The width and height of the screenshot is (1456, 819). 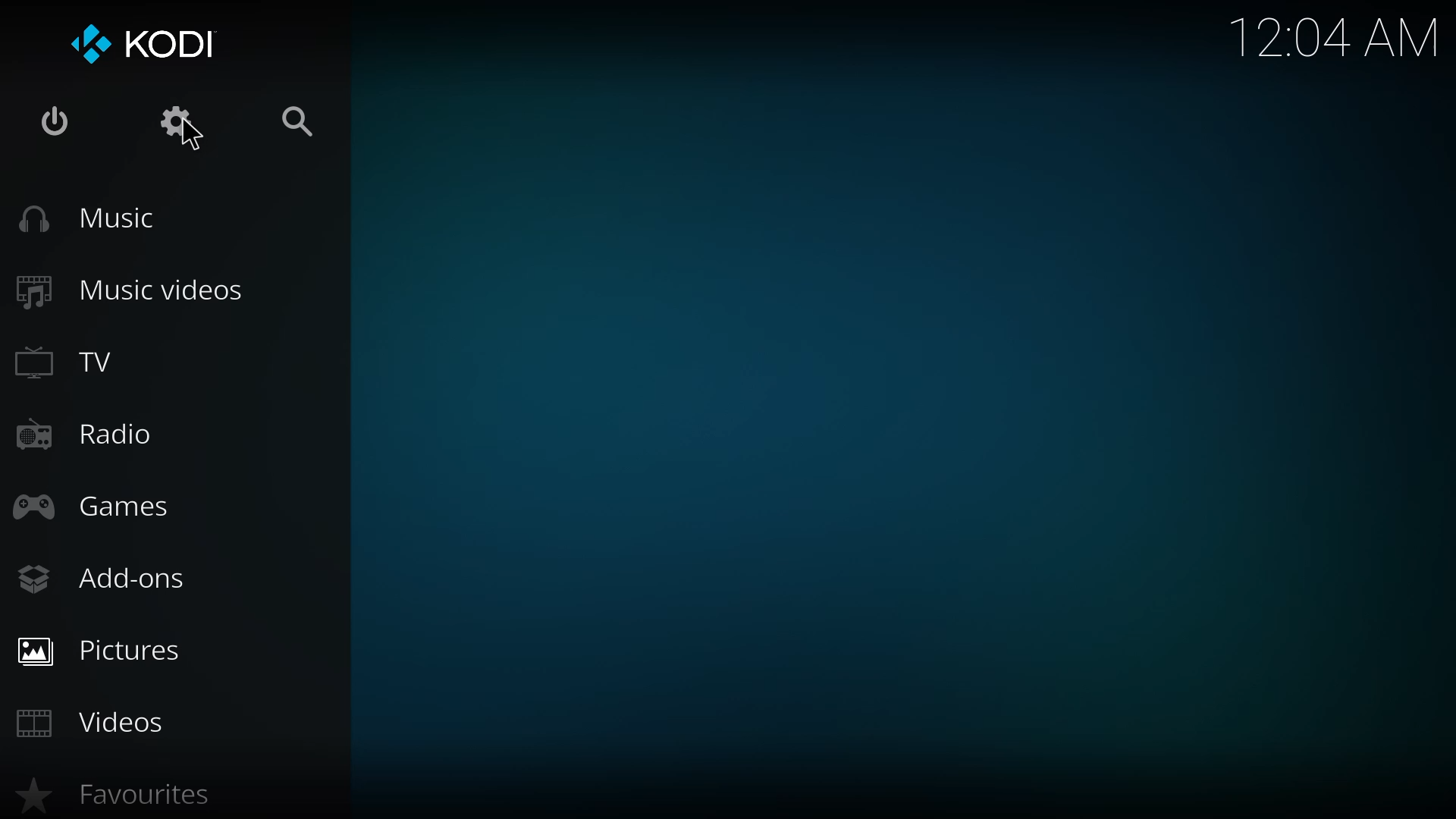 What do you see at coordinates (111, 577) in the screenshot?
I see `add-ons` at bounding box center [111, 577].